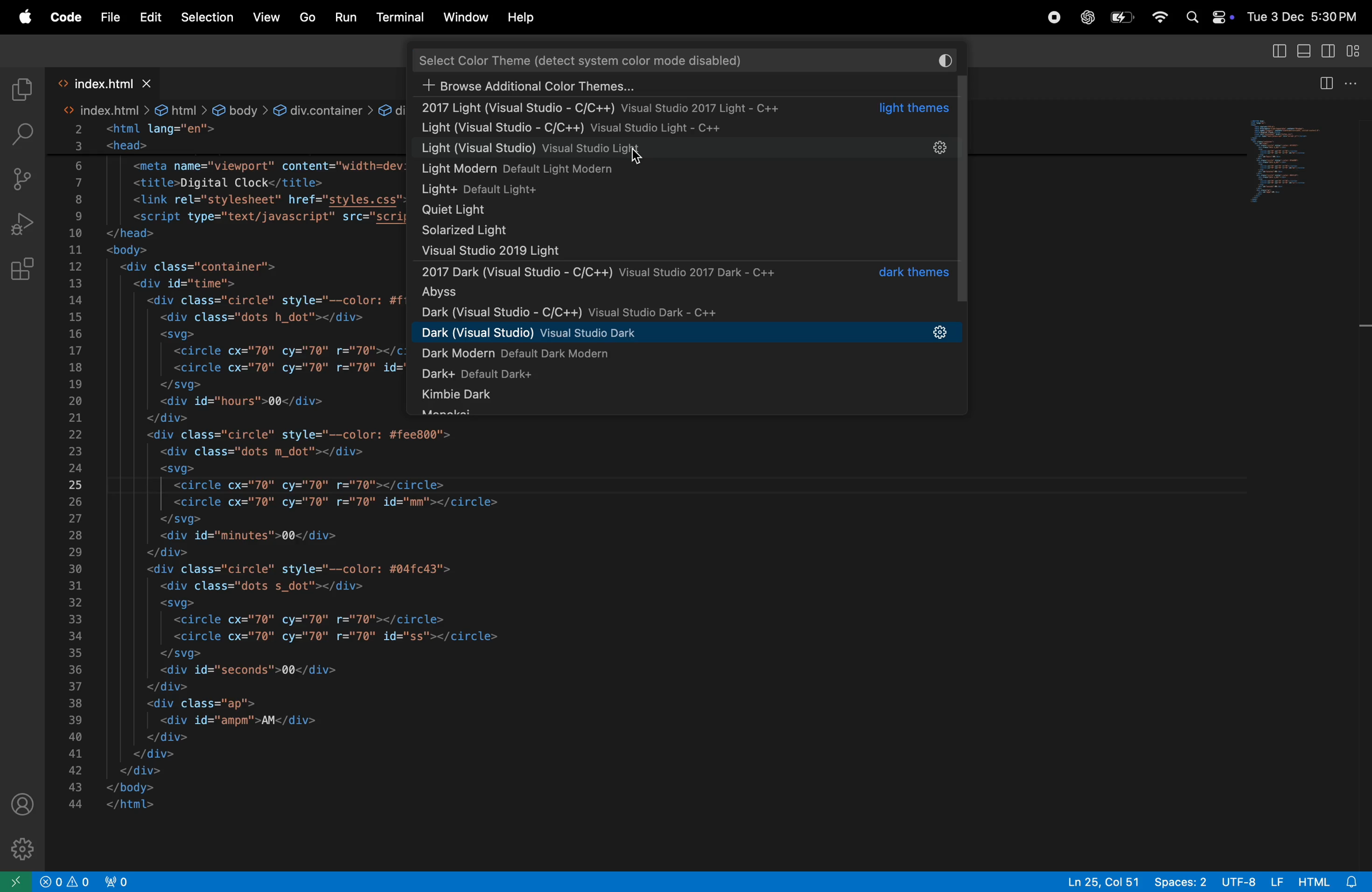  Describe the element at coordinates (464, 19) in the screenshot. I see `window` at that location.